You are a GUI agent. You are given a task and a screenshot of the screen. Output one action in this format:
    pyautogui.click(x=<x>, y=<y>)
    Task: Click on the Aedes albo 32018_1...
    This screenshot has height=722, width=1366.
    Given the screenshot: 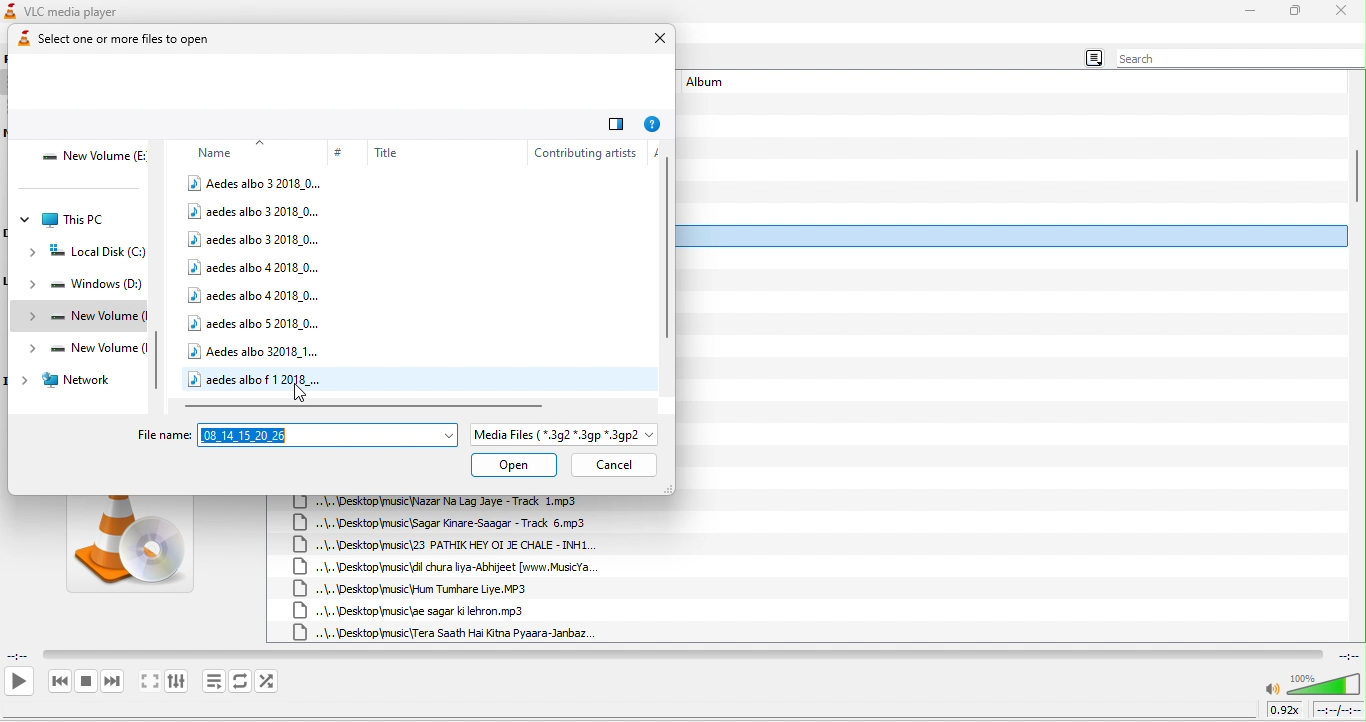 What is the action you would take?
    pyautogui.click(x=256, y=349)
    